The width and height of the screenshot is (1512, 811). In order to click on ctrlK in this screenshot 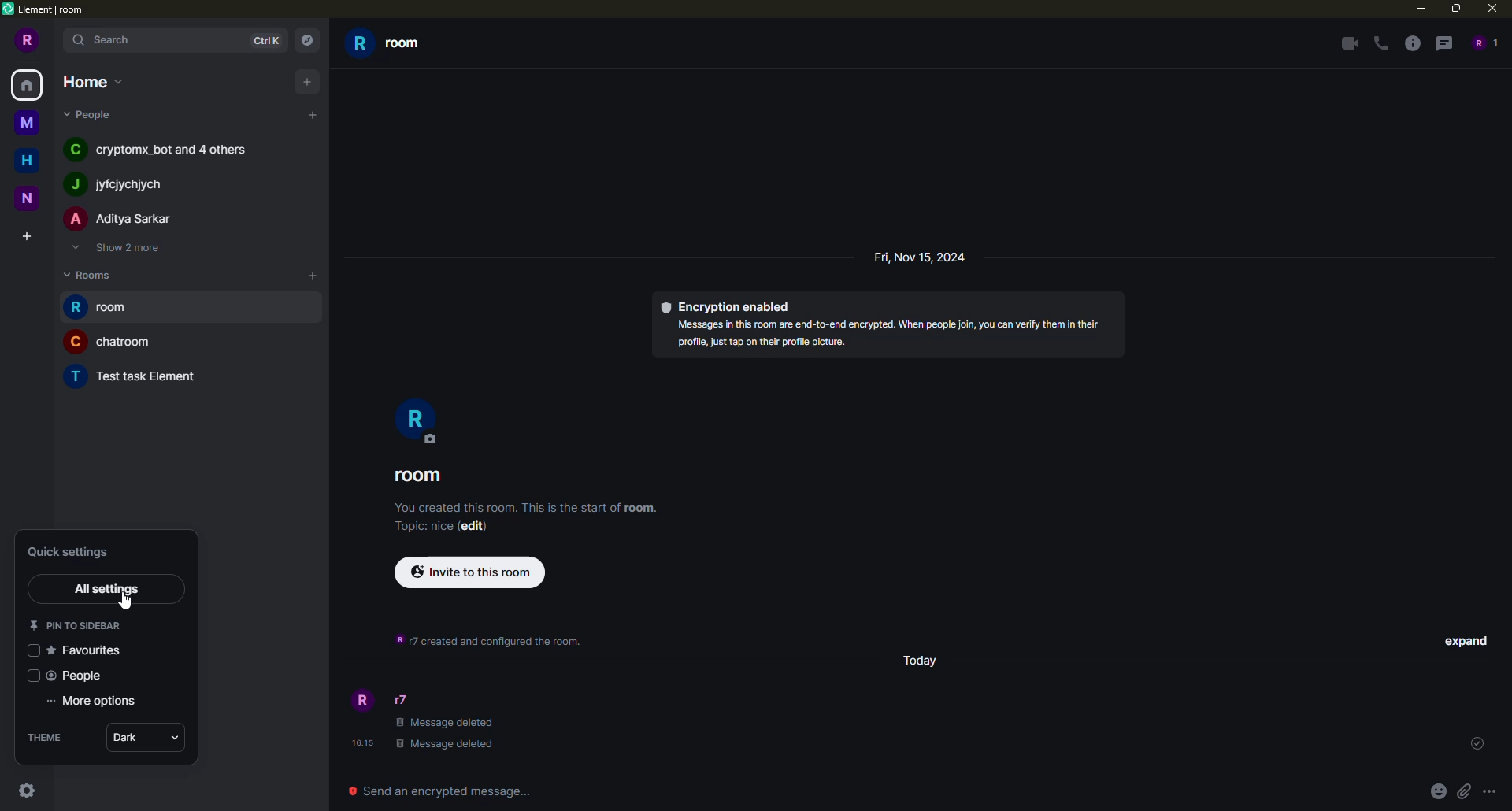, I will do `click(263, 39)`.